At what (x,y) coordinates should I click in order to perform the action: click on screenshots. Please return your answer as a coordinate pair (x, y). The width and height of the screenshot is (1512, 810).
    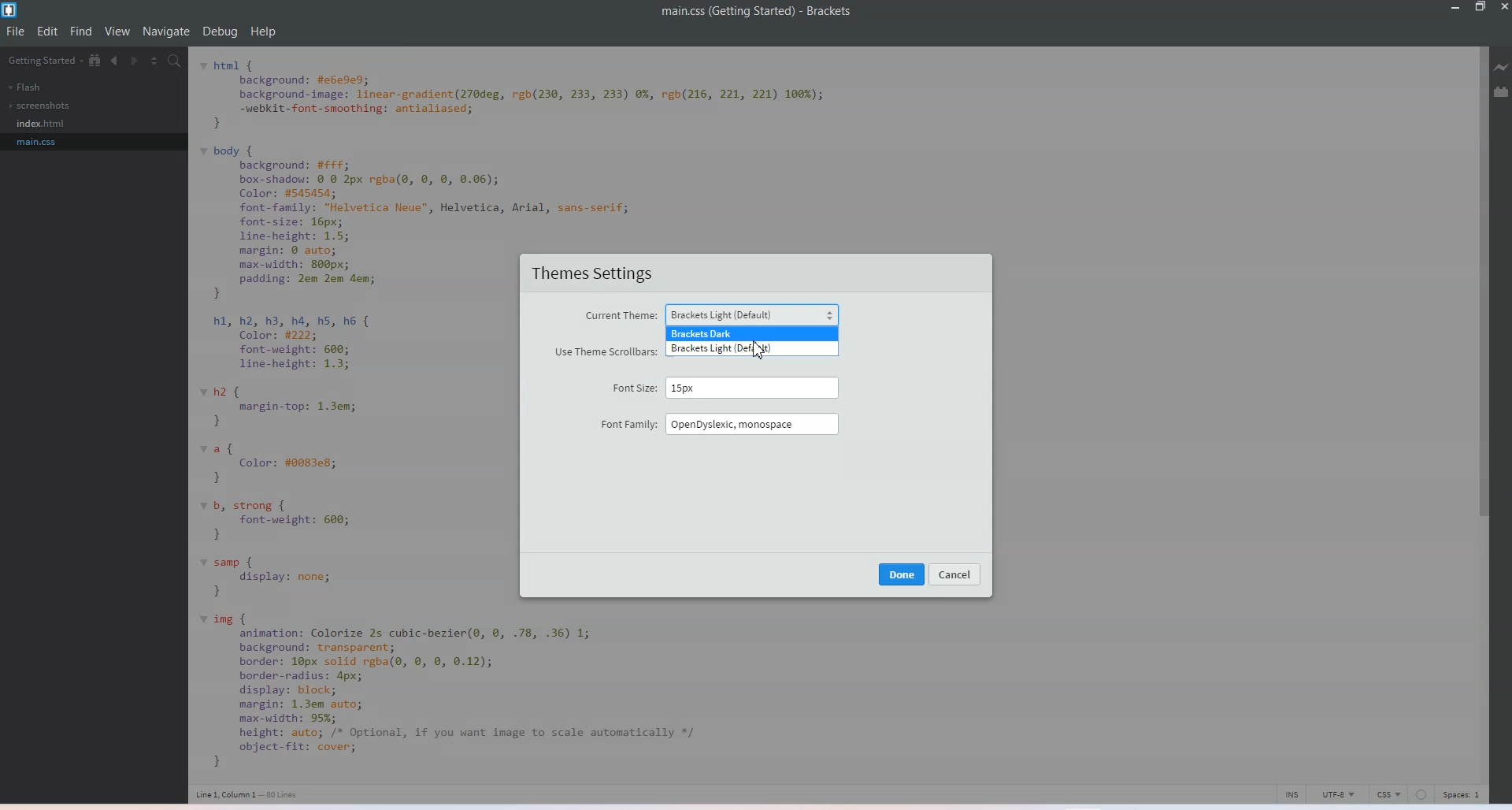
    Looking at the image, I should click on (42, 106).